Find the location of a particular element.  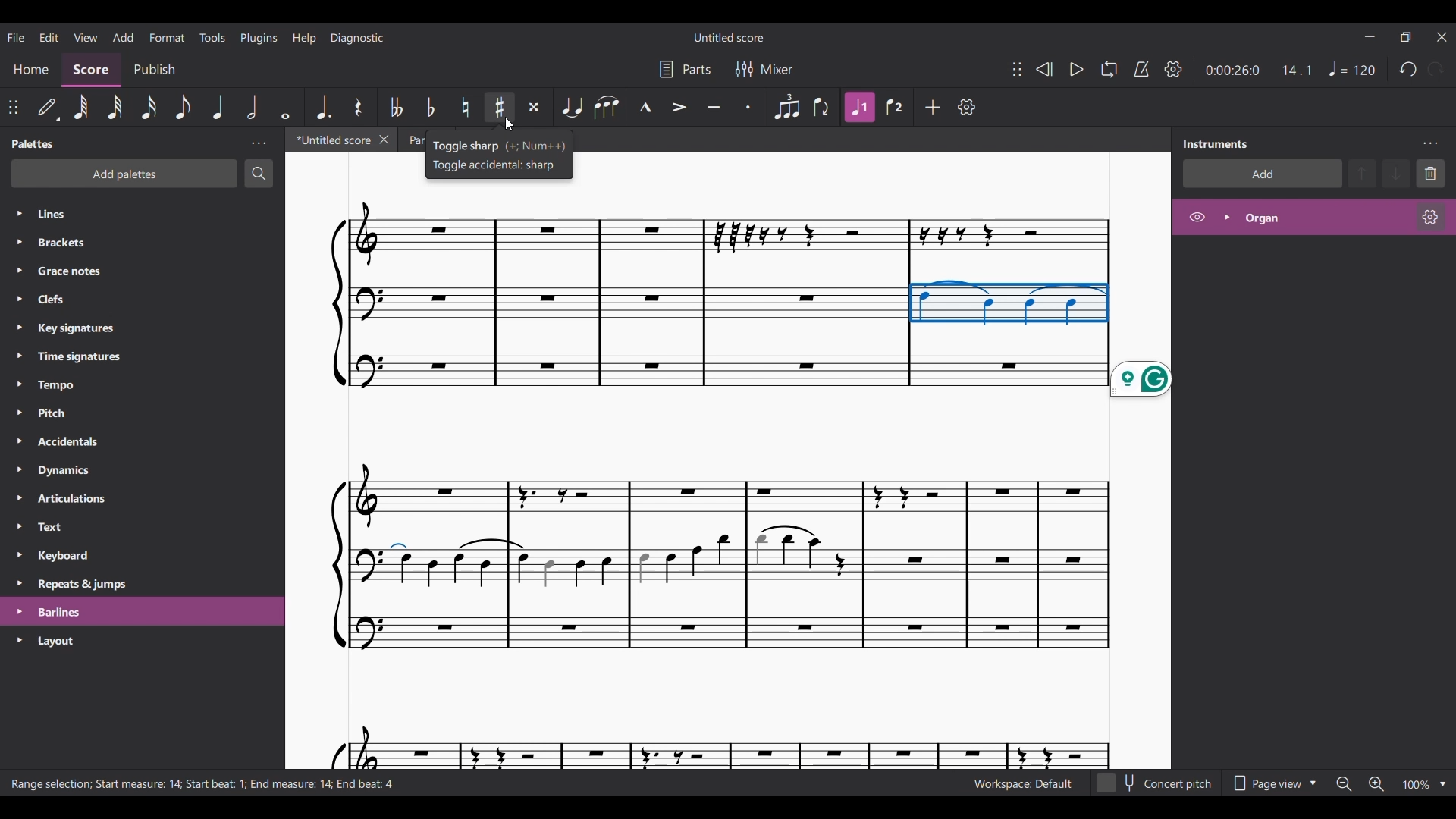

Metronome is located at coordinates (1141, 69).